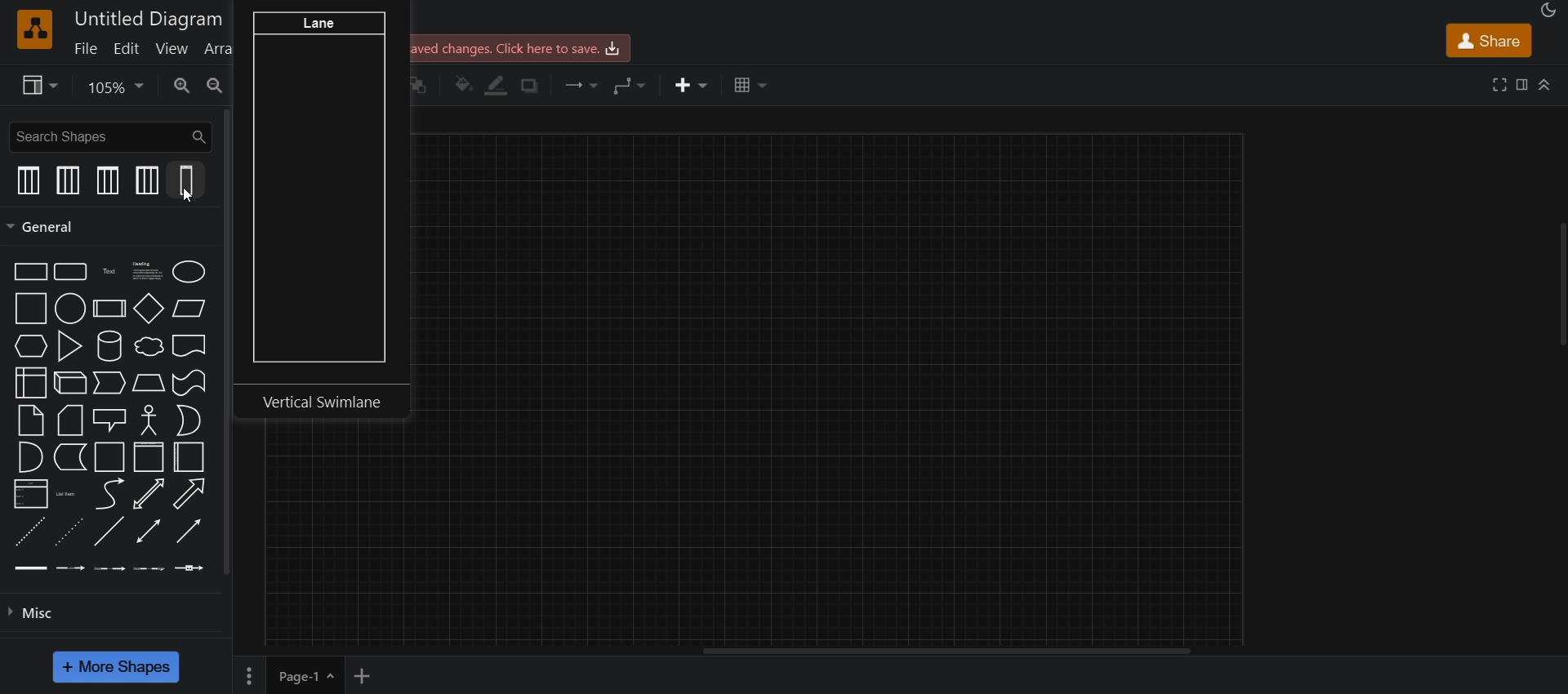 Image resolution: width=1568 pixels, height=694 pixels. What do you see at coordinates (35, 29) in the screenshot?
I see `logo` at bounding box center [35, 29].